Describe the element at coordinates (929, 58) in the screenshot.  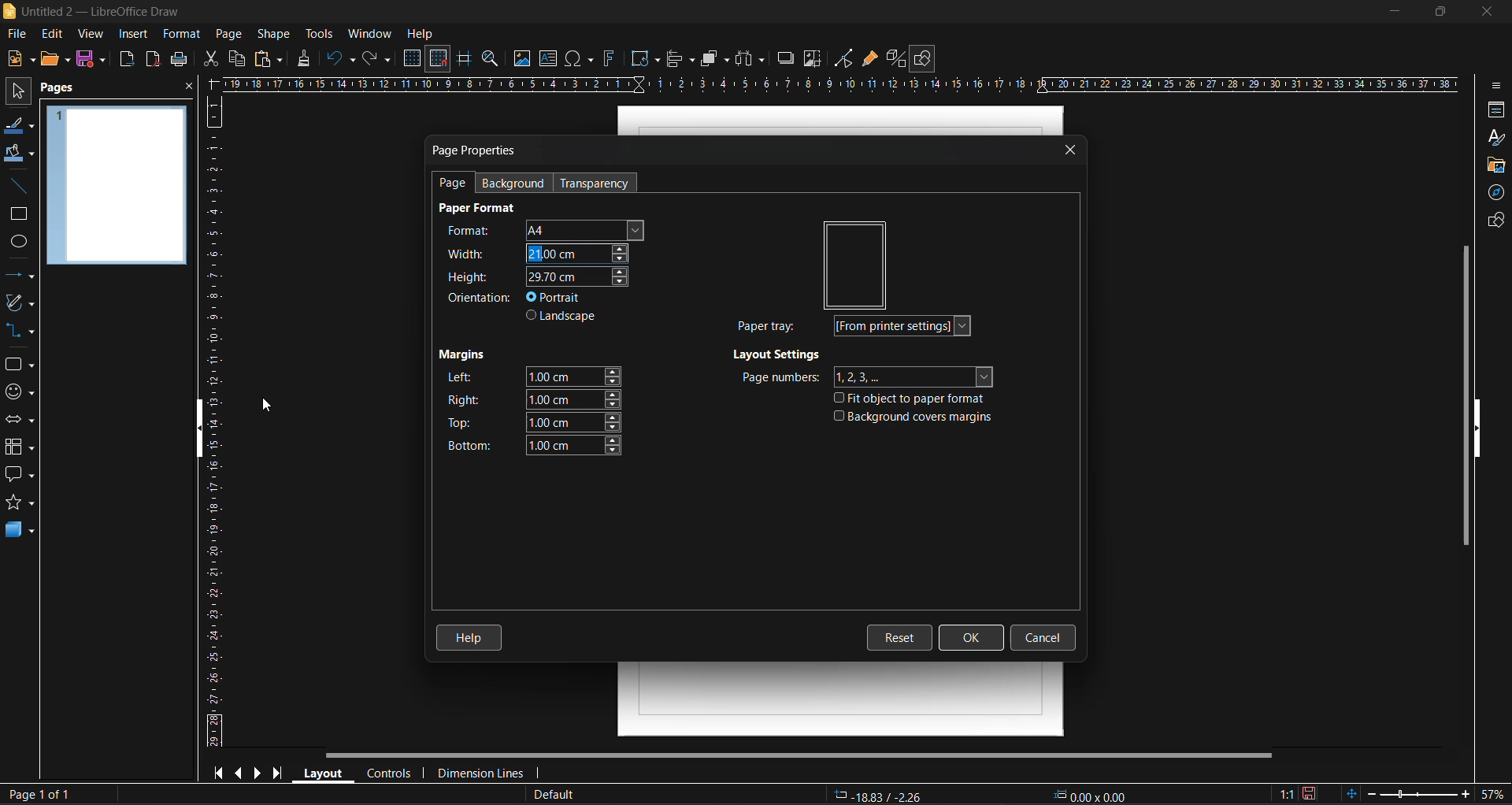
I see `show draw functions` at that location.